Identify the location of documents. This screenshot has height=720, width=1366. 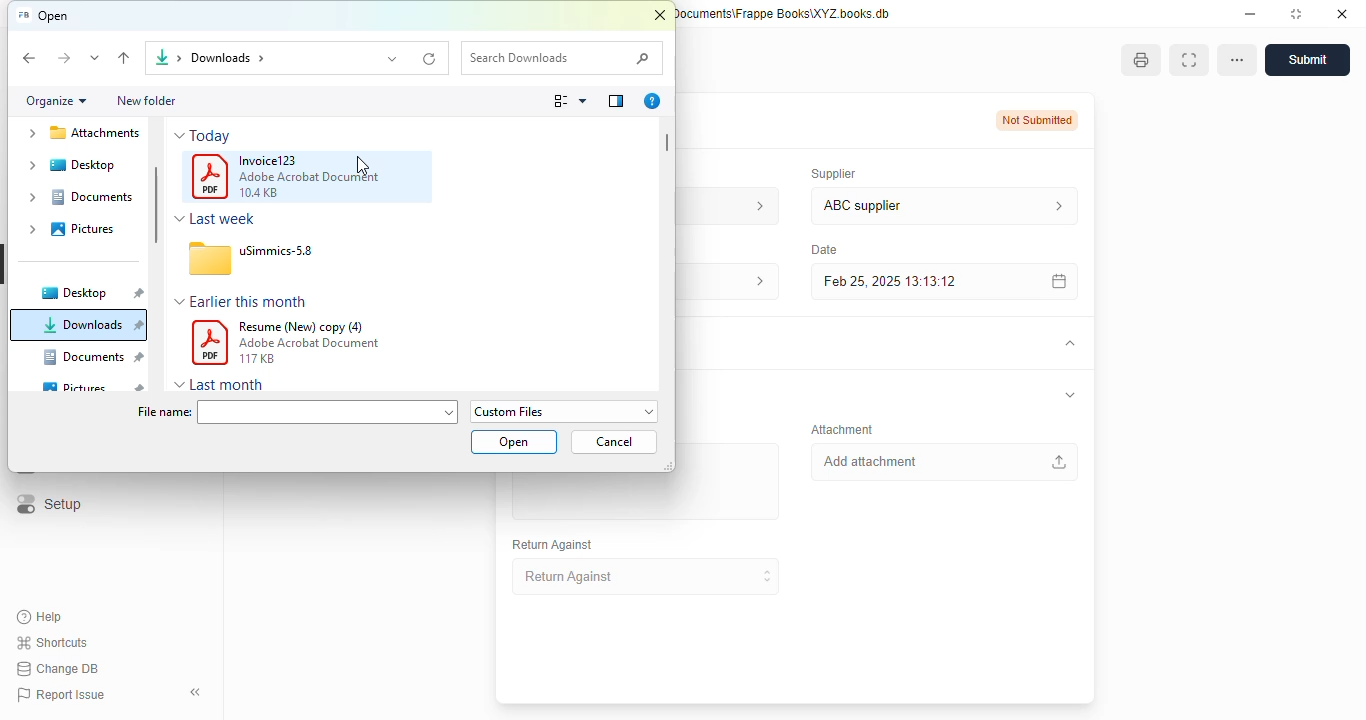
(93, 356).